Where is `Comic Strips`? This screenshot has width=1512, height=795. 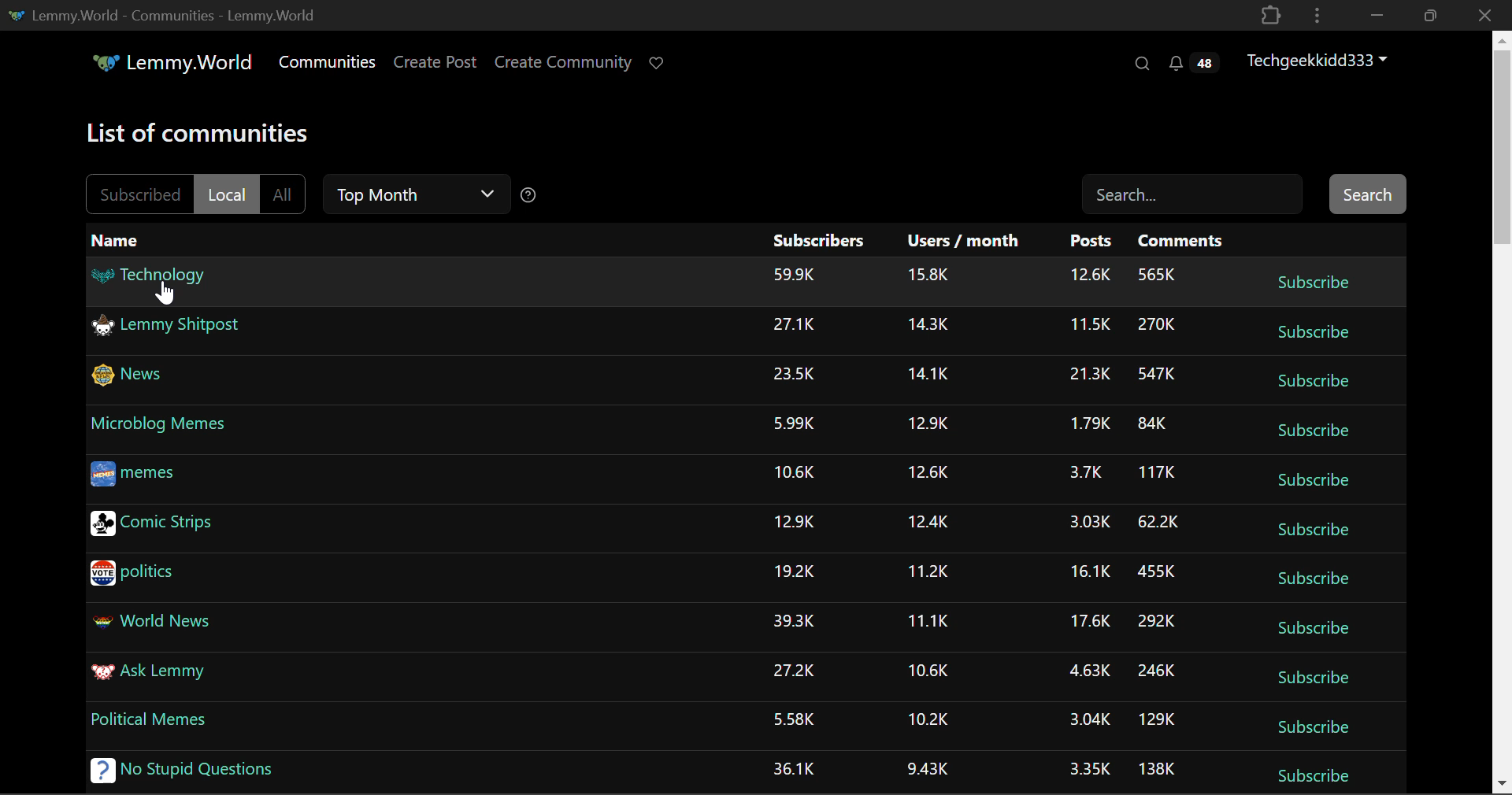
Comic Strips is located at coordinates (185, 527).